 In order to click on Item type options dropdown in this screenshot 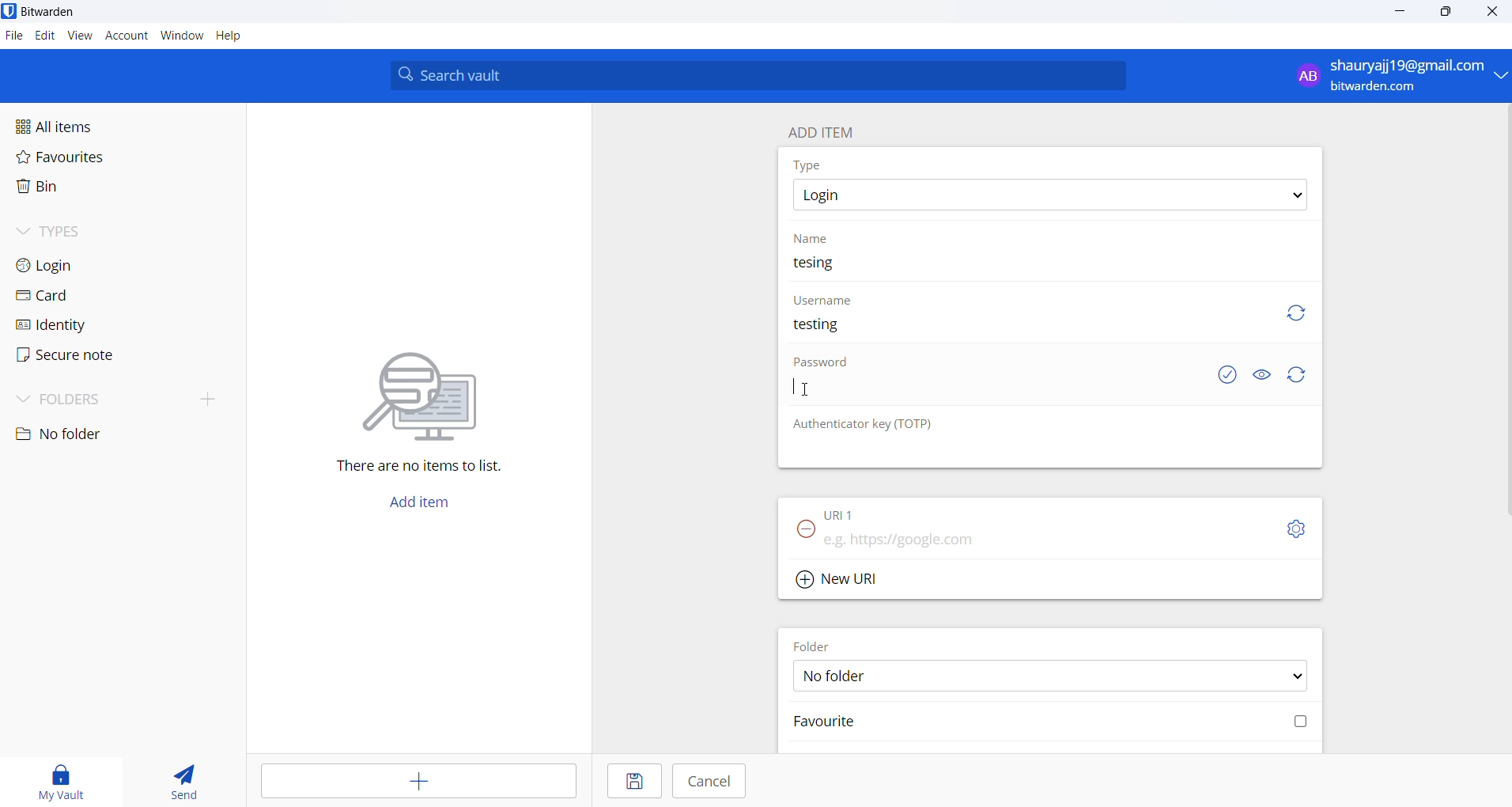, I will do `click(1049, 195)`.